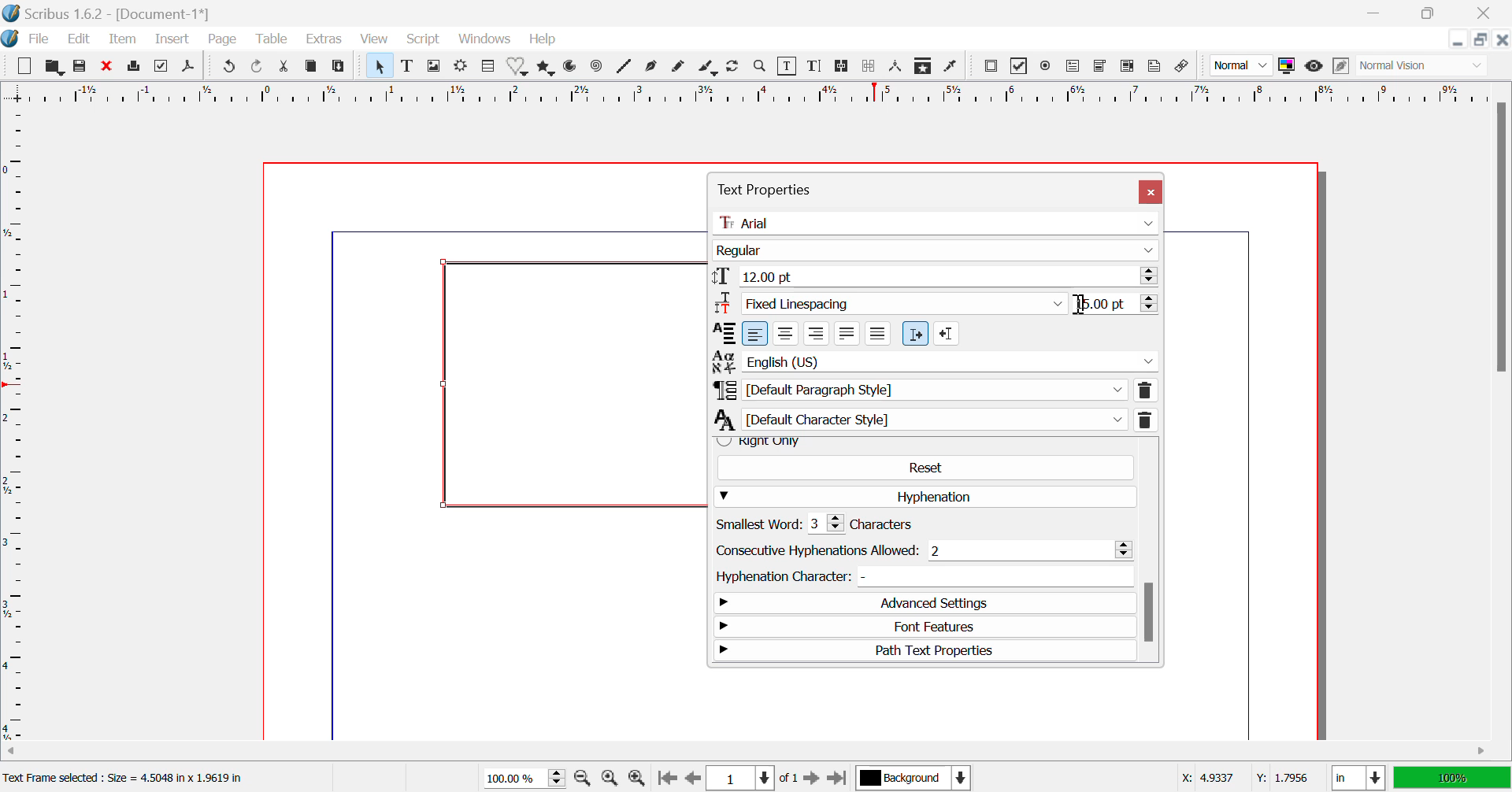  I want to click on Regular, so click(936, 251).